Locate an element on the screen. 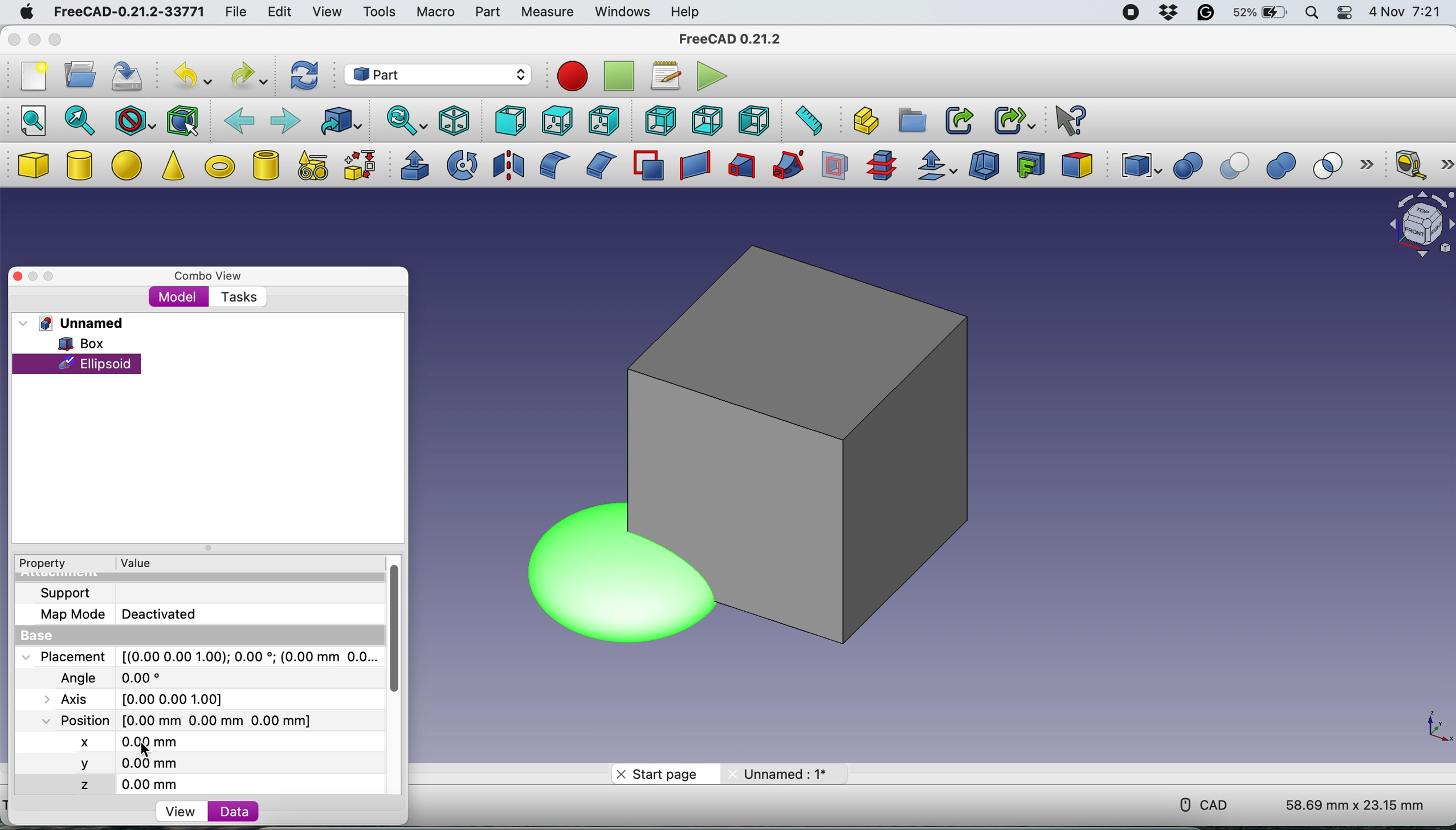  intersection is located at coordinates (1334, 165).